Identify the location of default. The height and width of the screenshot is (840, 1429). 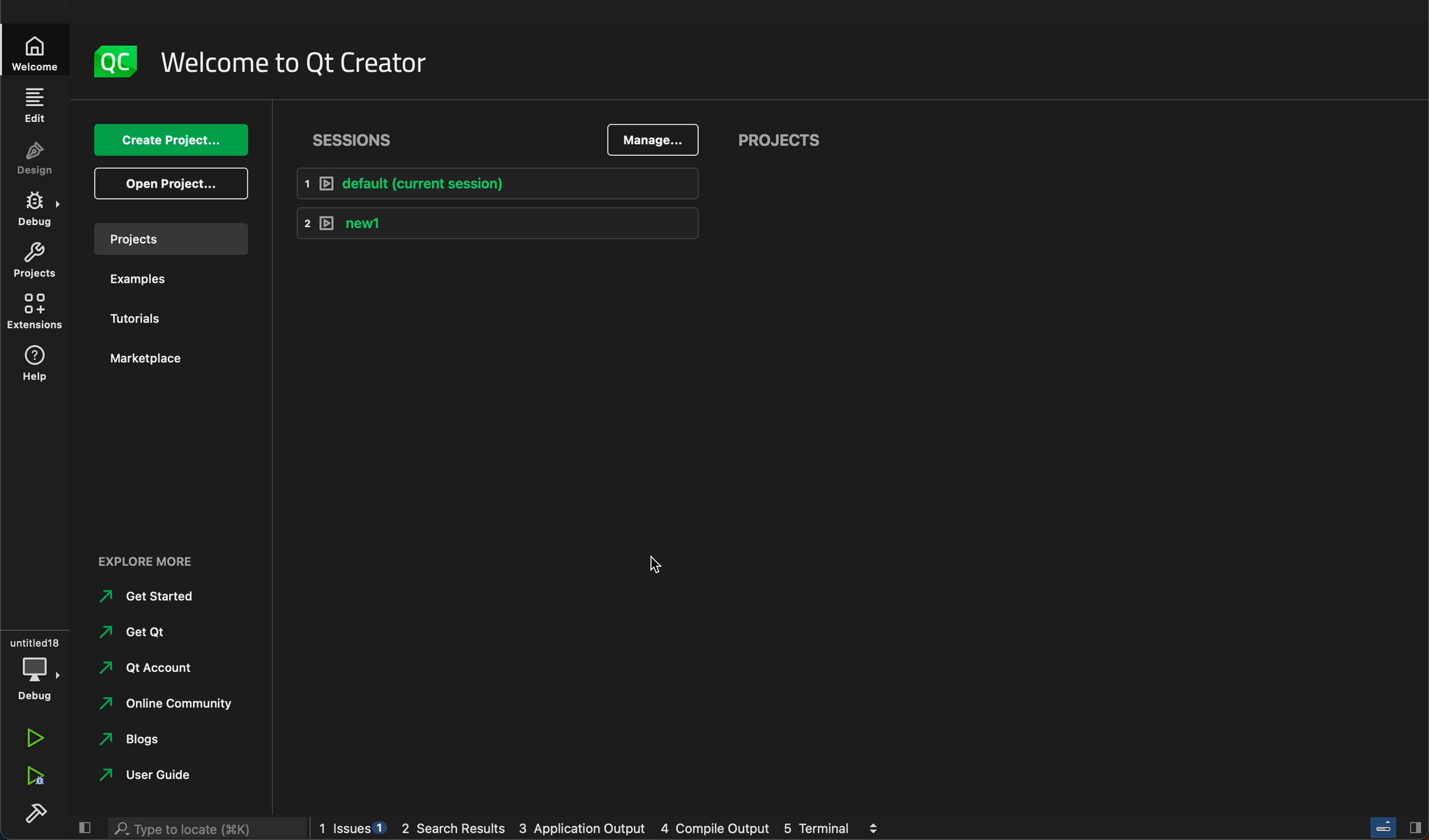
(505, 182).